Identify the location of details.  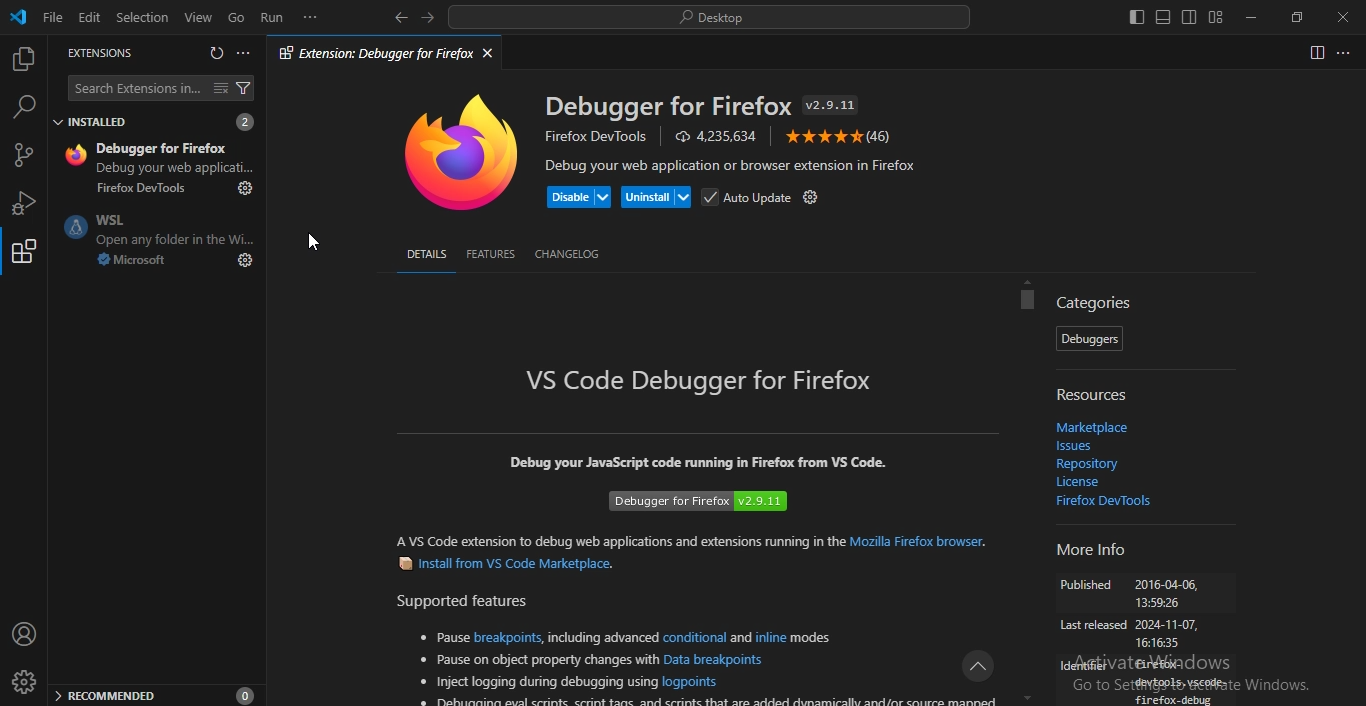
(423, 257).